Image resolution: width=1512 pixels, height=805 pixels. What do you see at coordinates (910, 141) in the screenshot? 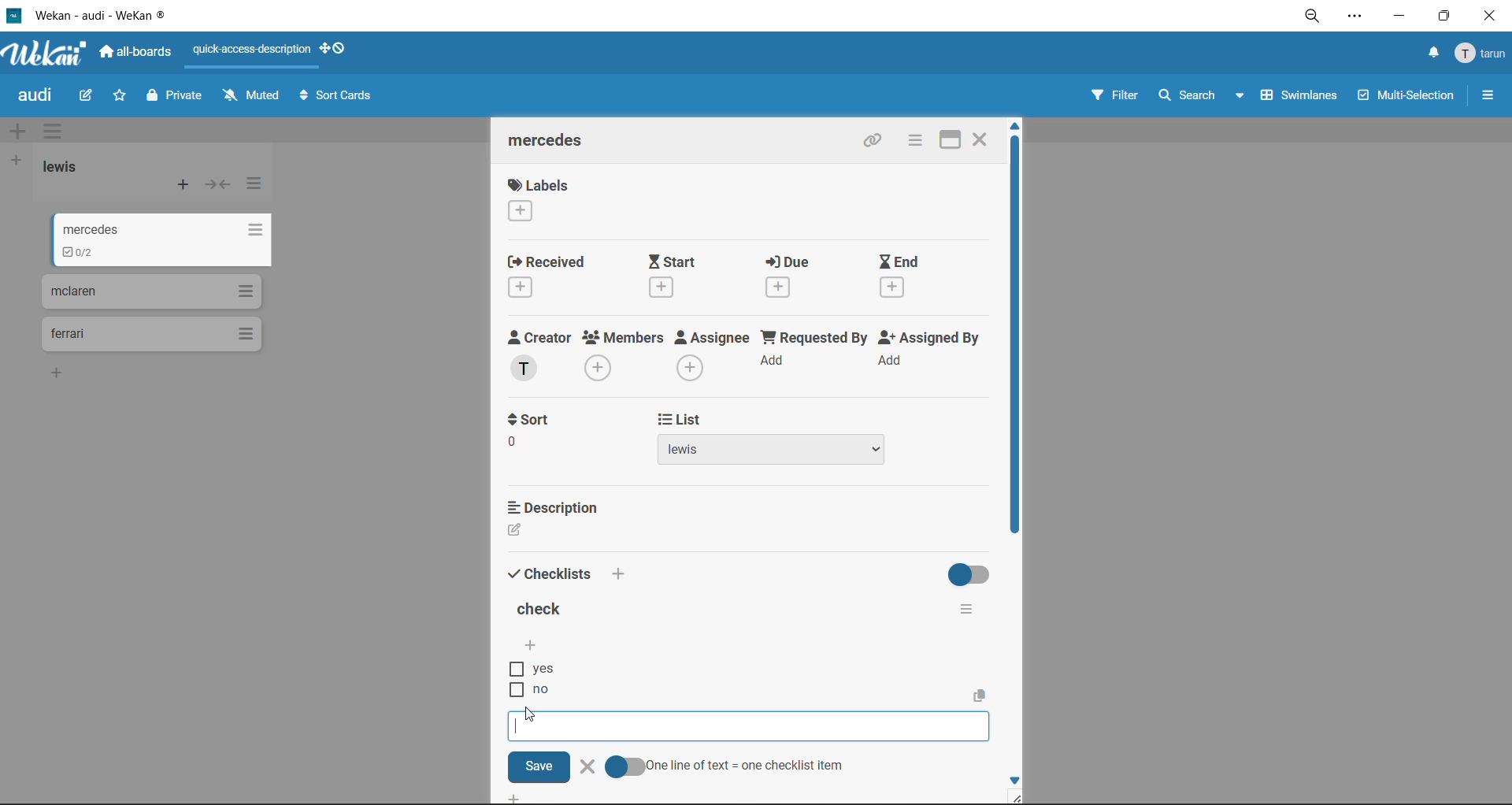
I see `card actions` at bounding box center [910, 141].